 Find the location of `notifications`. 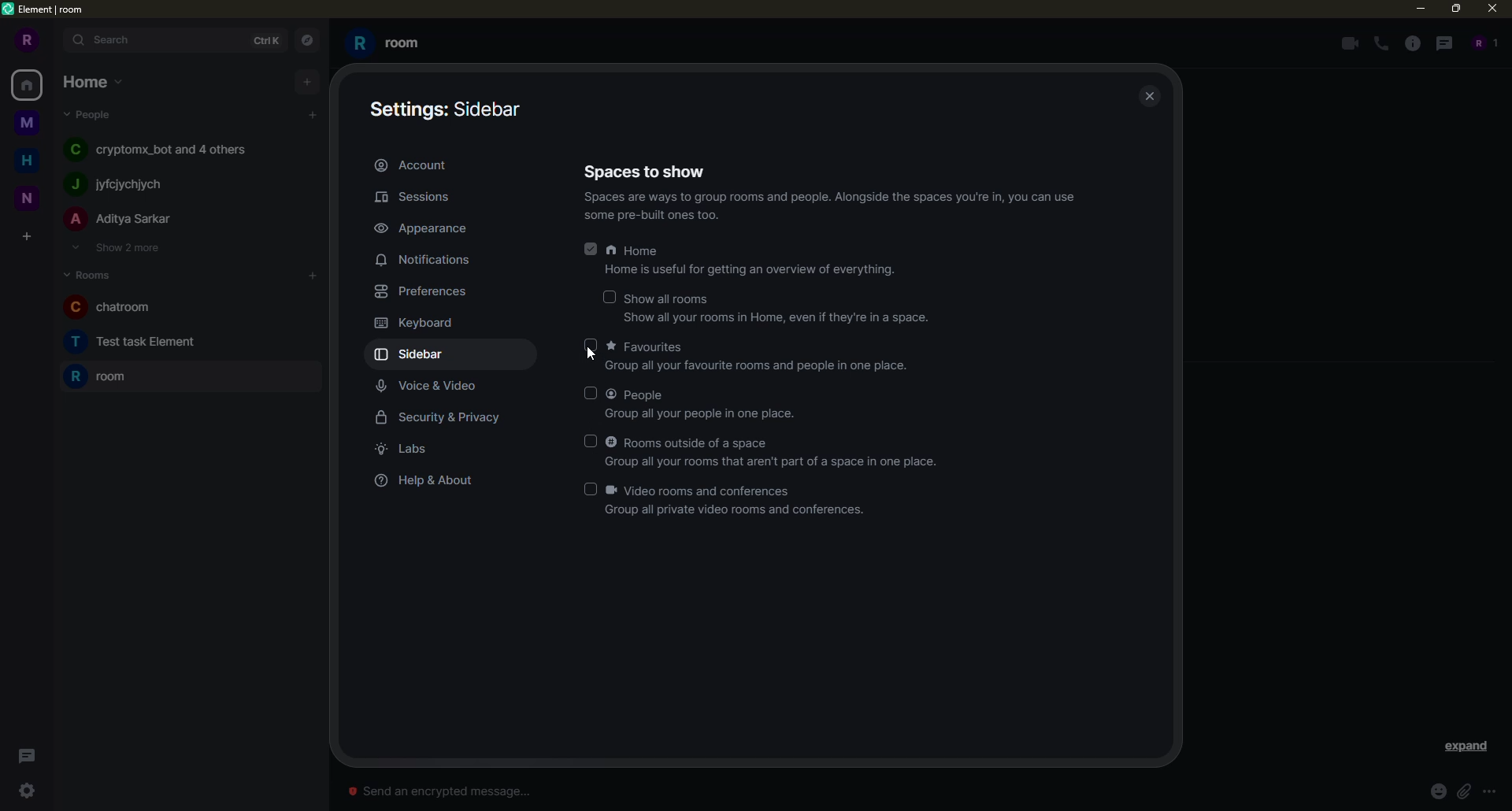

notifications is located at coordinates (428, 260).